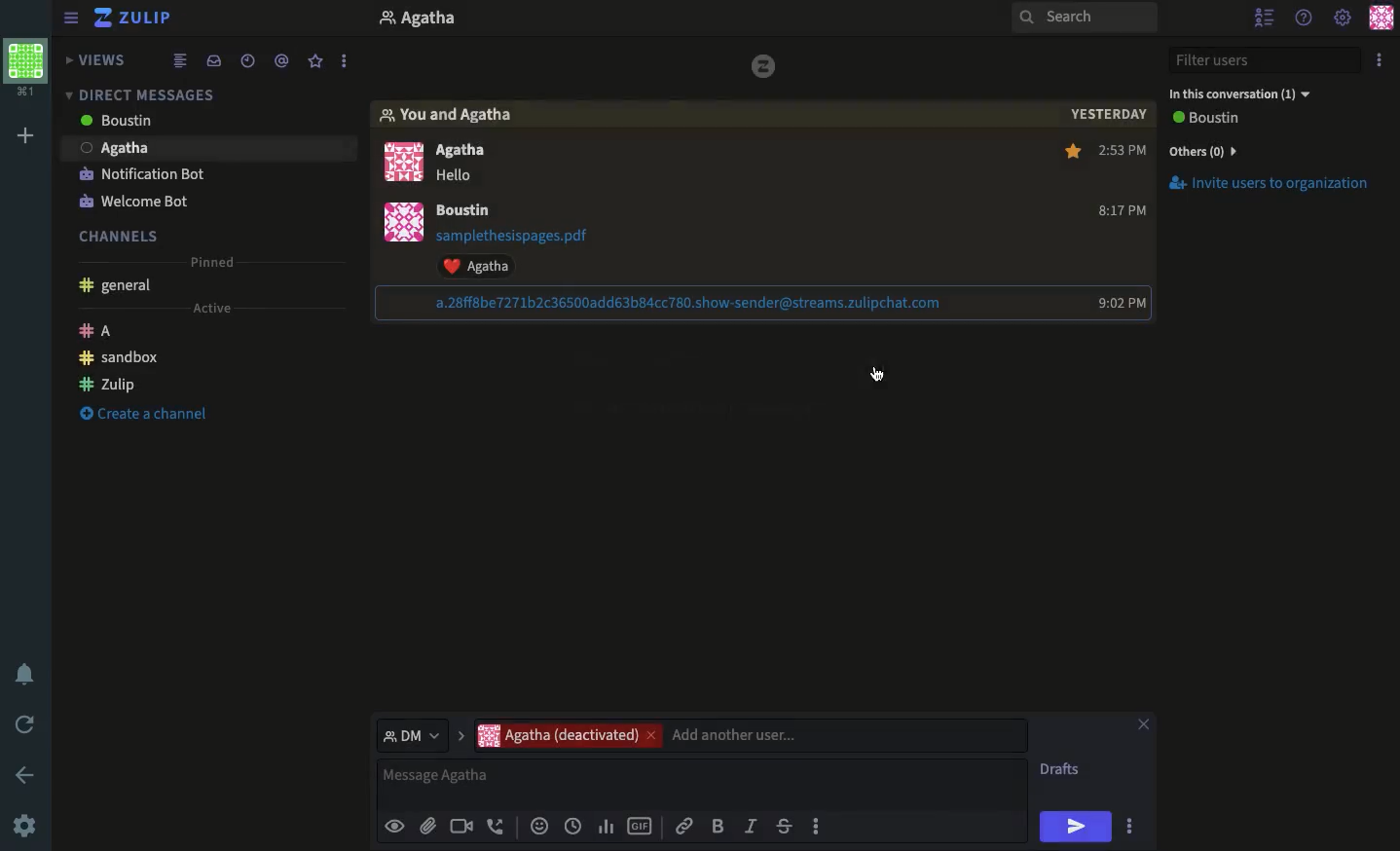 Image resolution: width=1400 pixels, height=851 pixels. What do you see at coordinates (881, 376) in the screenshot?
I see `Checked status` at bounding box center [881, 376].